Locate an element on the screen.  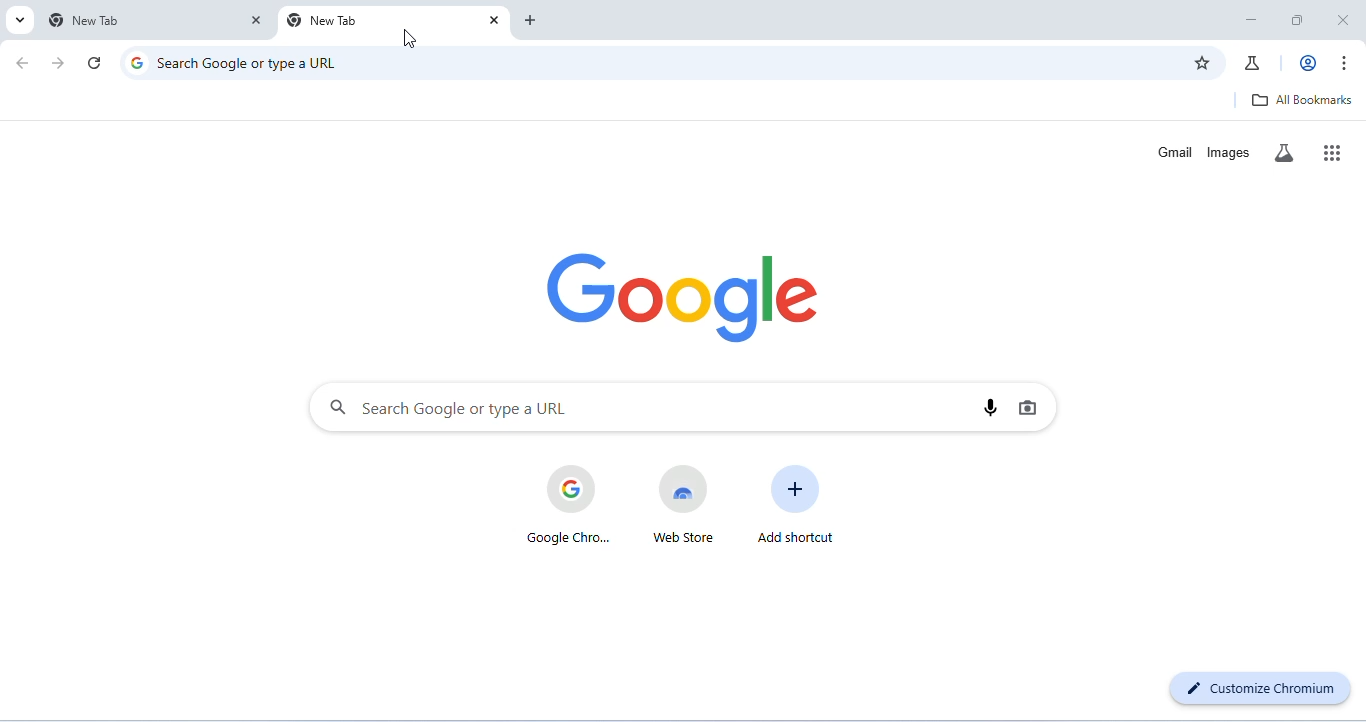
close is located at coordinates (1342, 19).